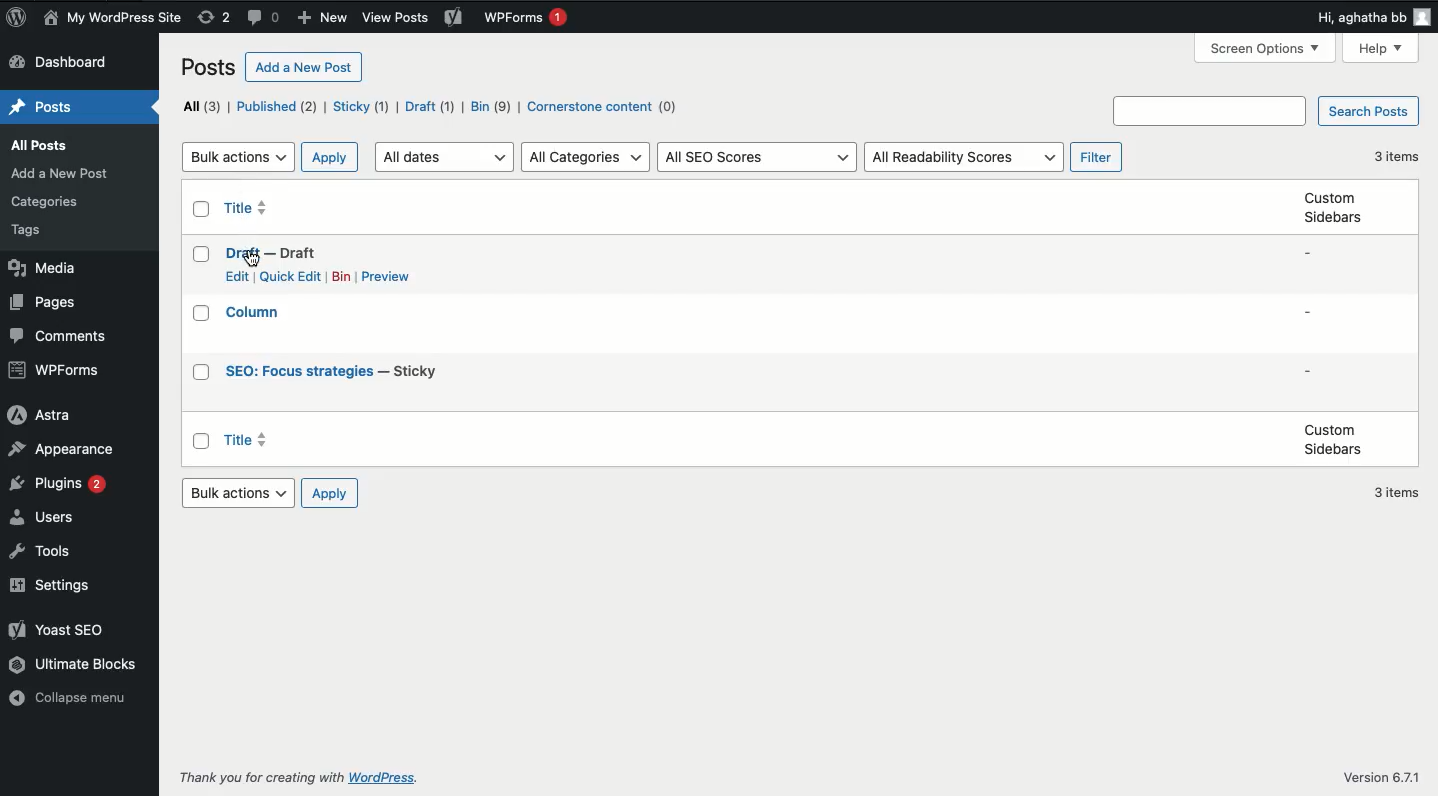 This screenshot has width=1438, height=796. What do you see at coordinates (966, 158) in the screenshot?
I see `All readability scores` at bounding box center [966, 158].